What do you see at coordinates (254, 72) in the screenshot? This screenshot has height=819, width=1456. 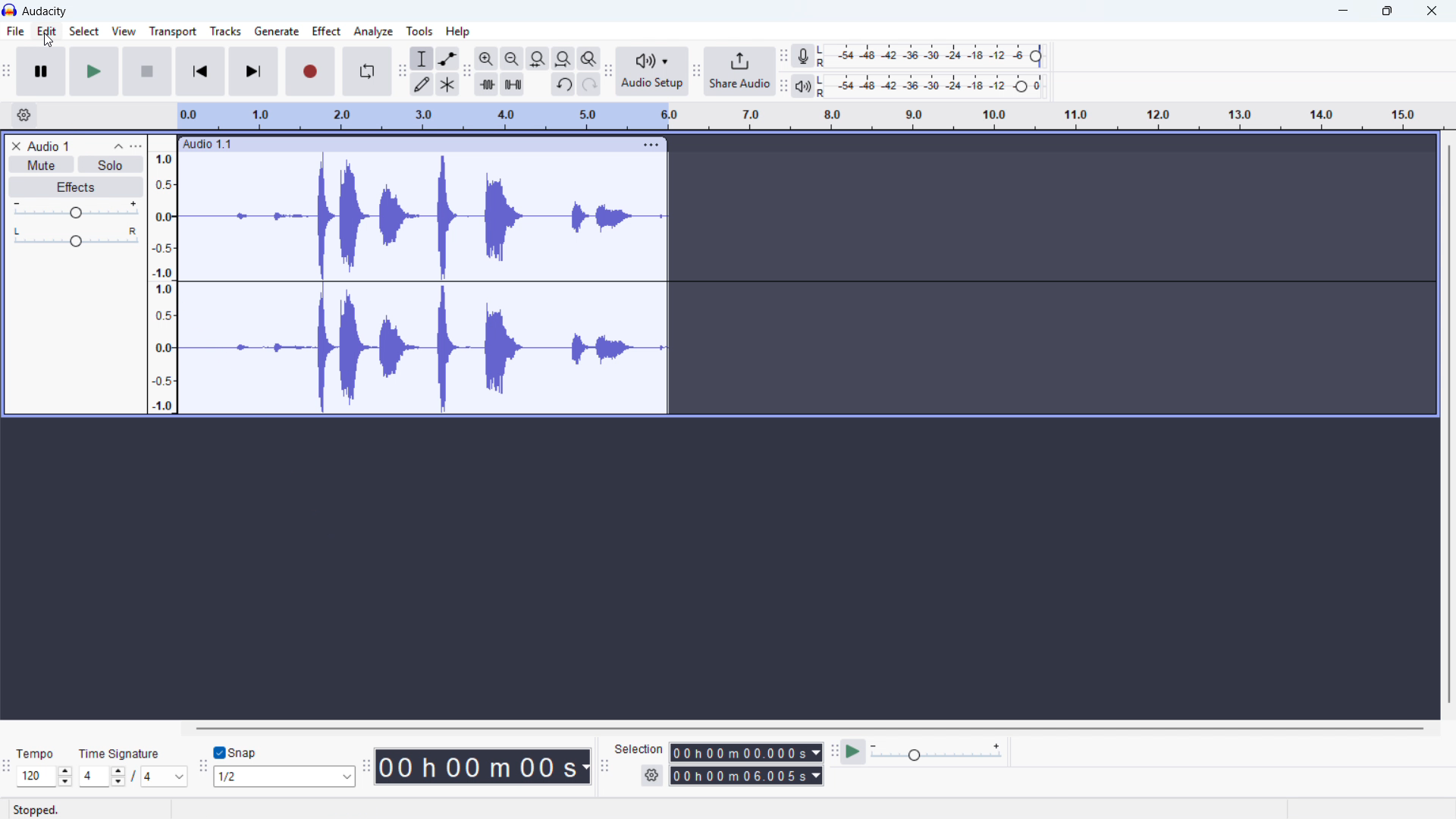 I see `skip to end` at bounding box center [254, 72].